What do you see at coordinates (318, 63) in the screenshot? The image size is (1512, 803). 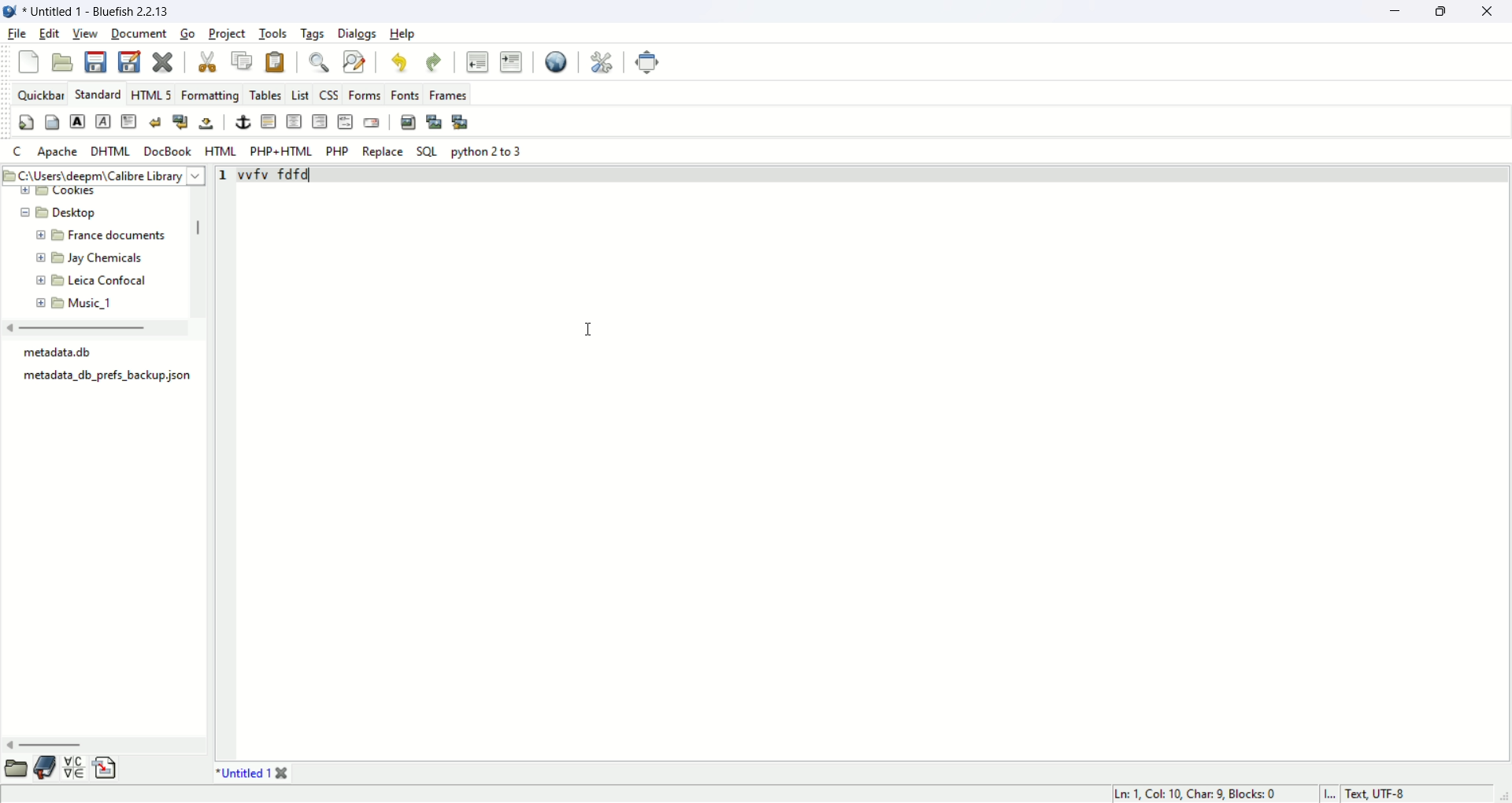 I see `show find bar` at bounding box center [318, 63].